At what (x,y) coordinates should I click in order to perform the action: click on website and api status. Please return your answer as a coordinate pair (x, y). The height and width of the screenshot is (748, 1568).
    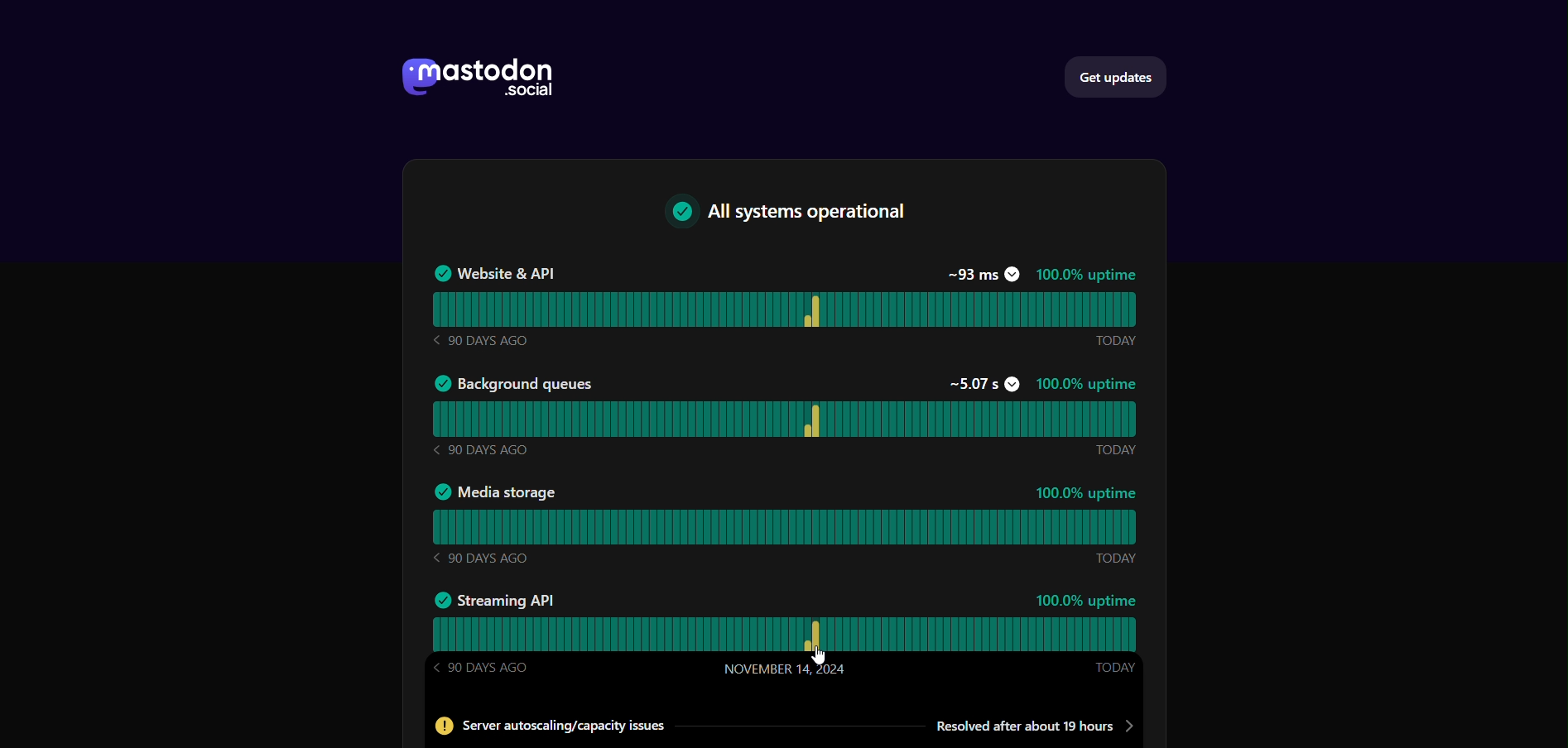
    Looking at the image, I should click on (784, 309).